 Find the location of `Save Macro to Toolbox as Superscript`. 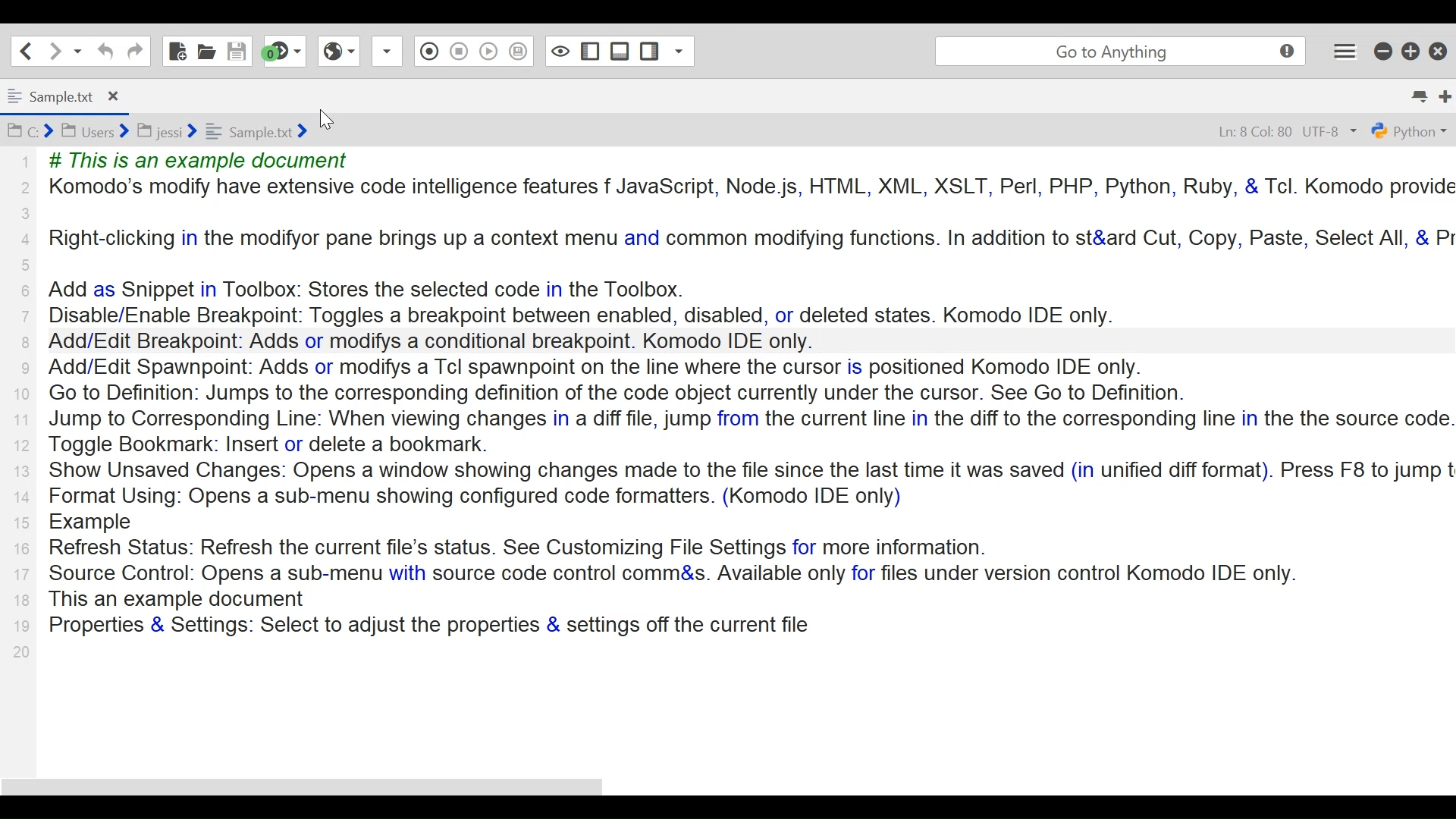

Save Macro to Toolbox as Superscript is located at coordinates (519, 52).